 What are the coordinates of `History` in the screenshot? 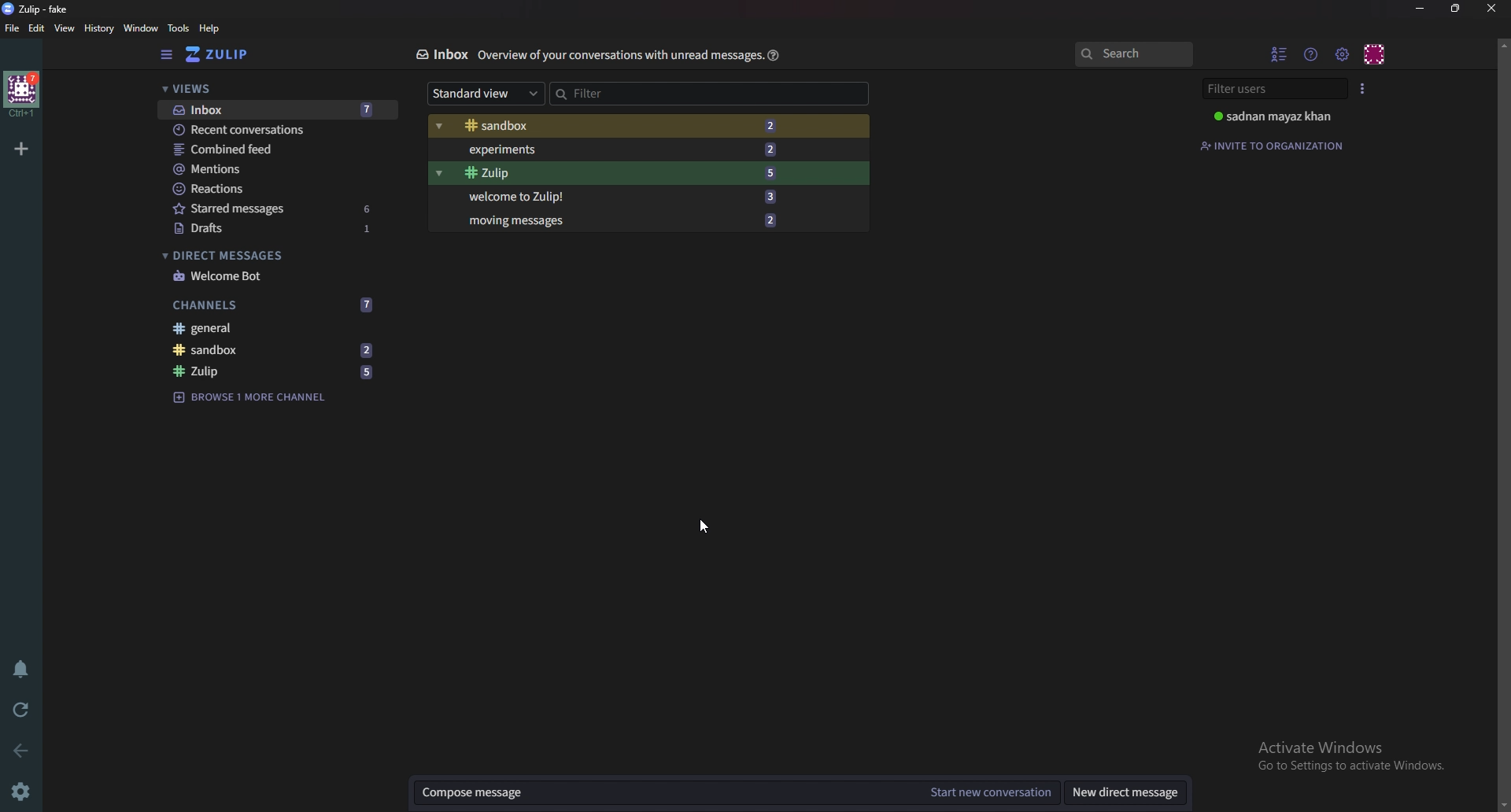 It's located at (99, 28).